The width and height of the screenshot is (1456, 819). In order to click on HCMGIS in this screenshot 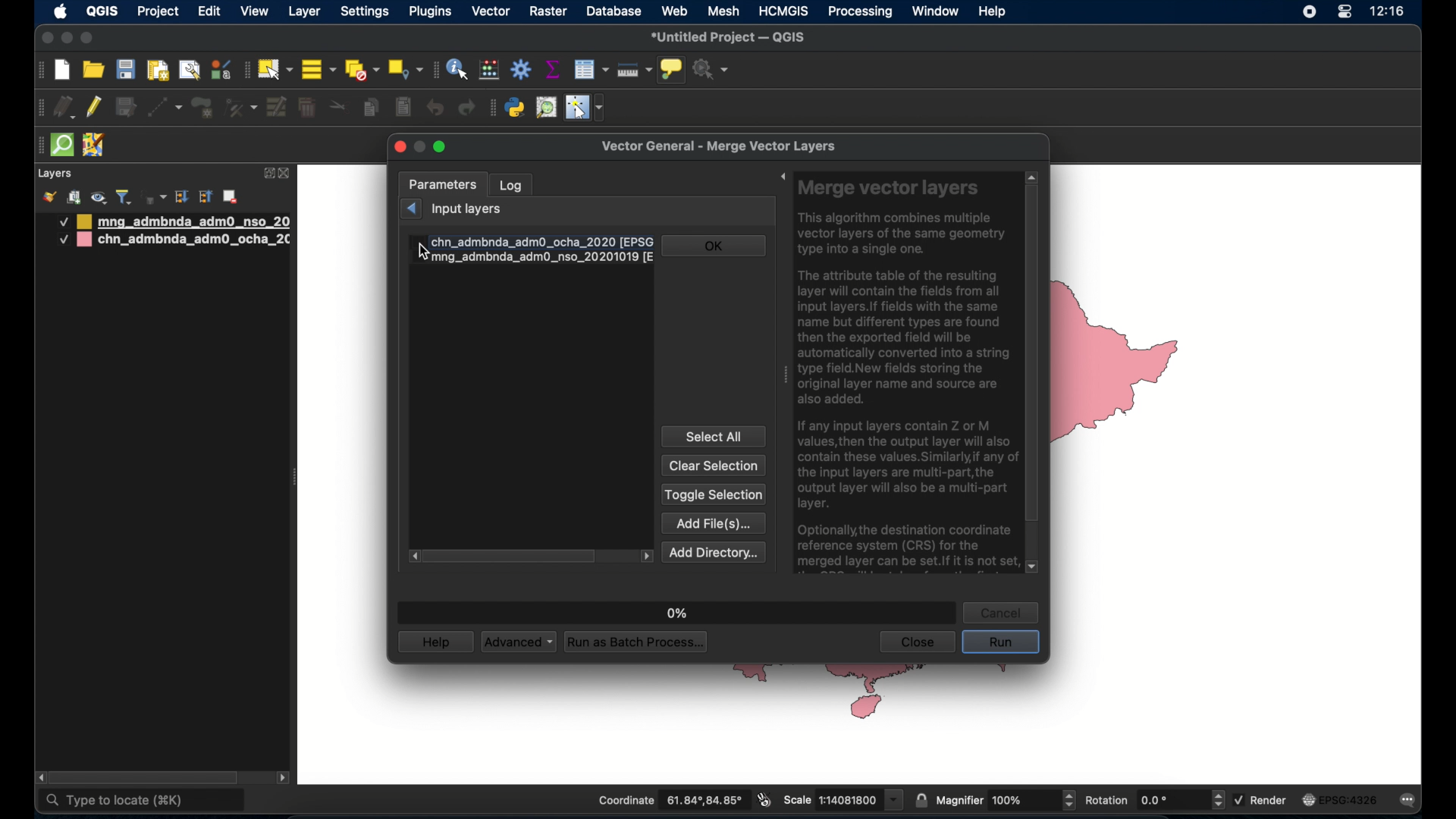, I will do `click(783, 11)`.